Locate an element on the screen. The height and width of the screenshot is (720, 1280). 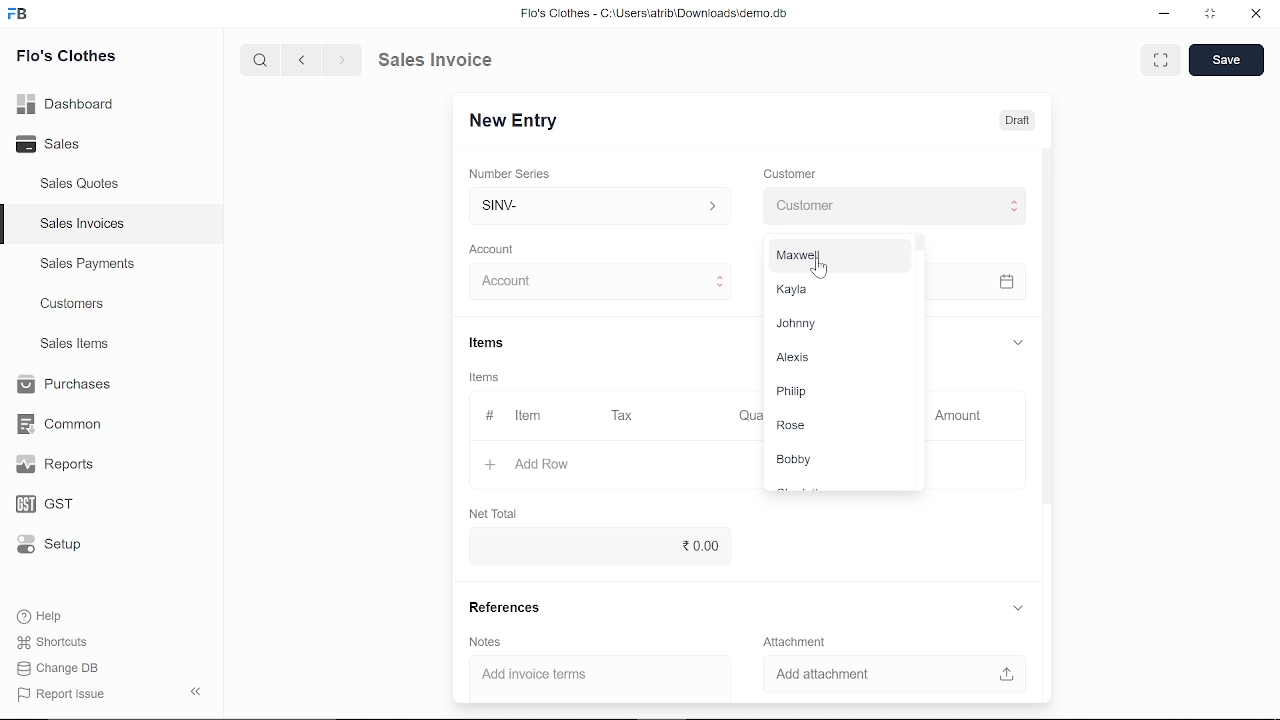
Alexis is located at coordinates (829, 356).